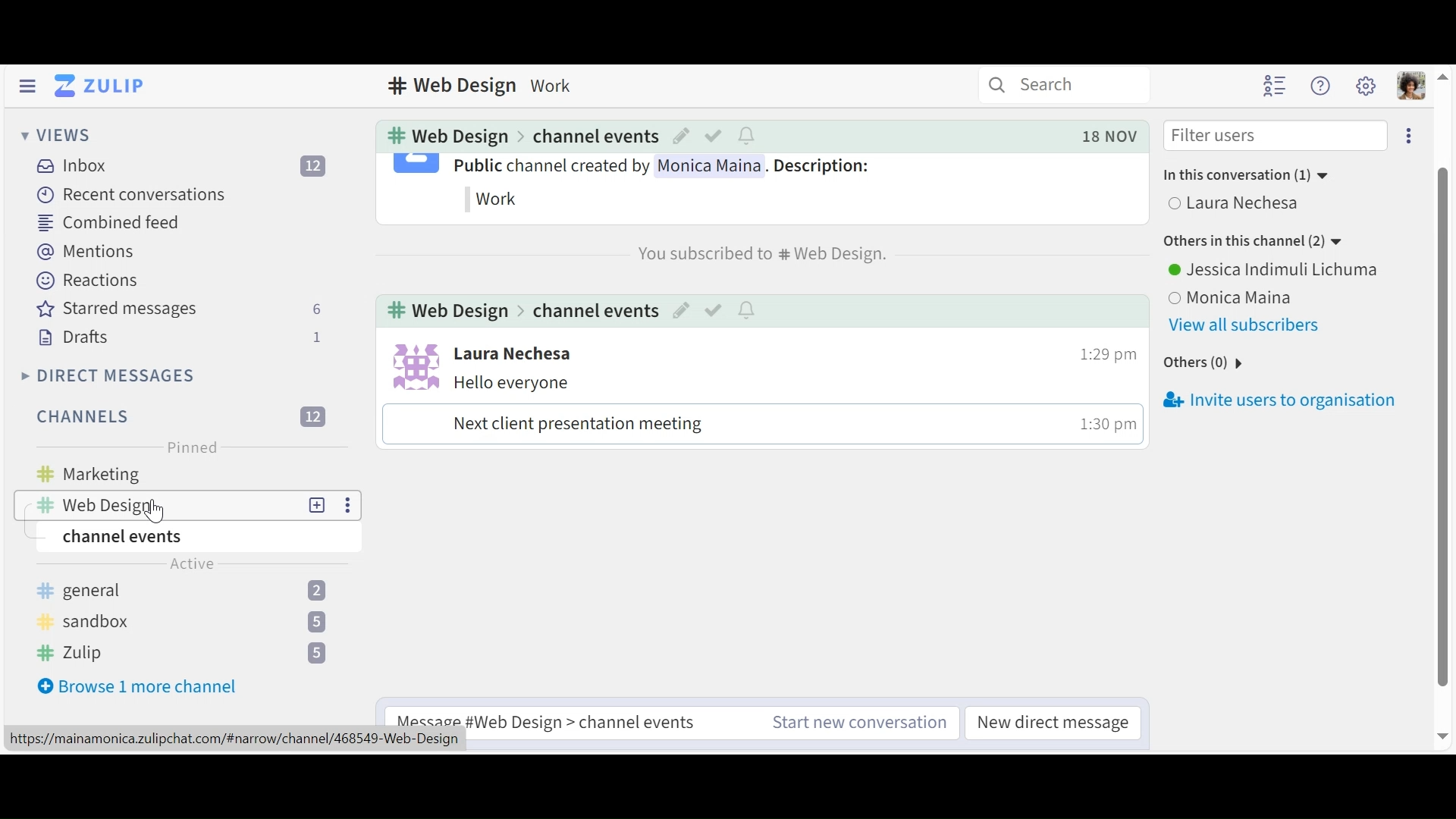  I want to click on # Web Design, so click(445, 136).